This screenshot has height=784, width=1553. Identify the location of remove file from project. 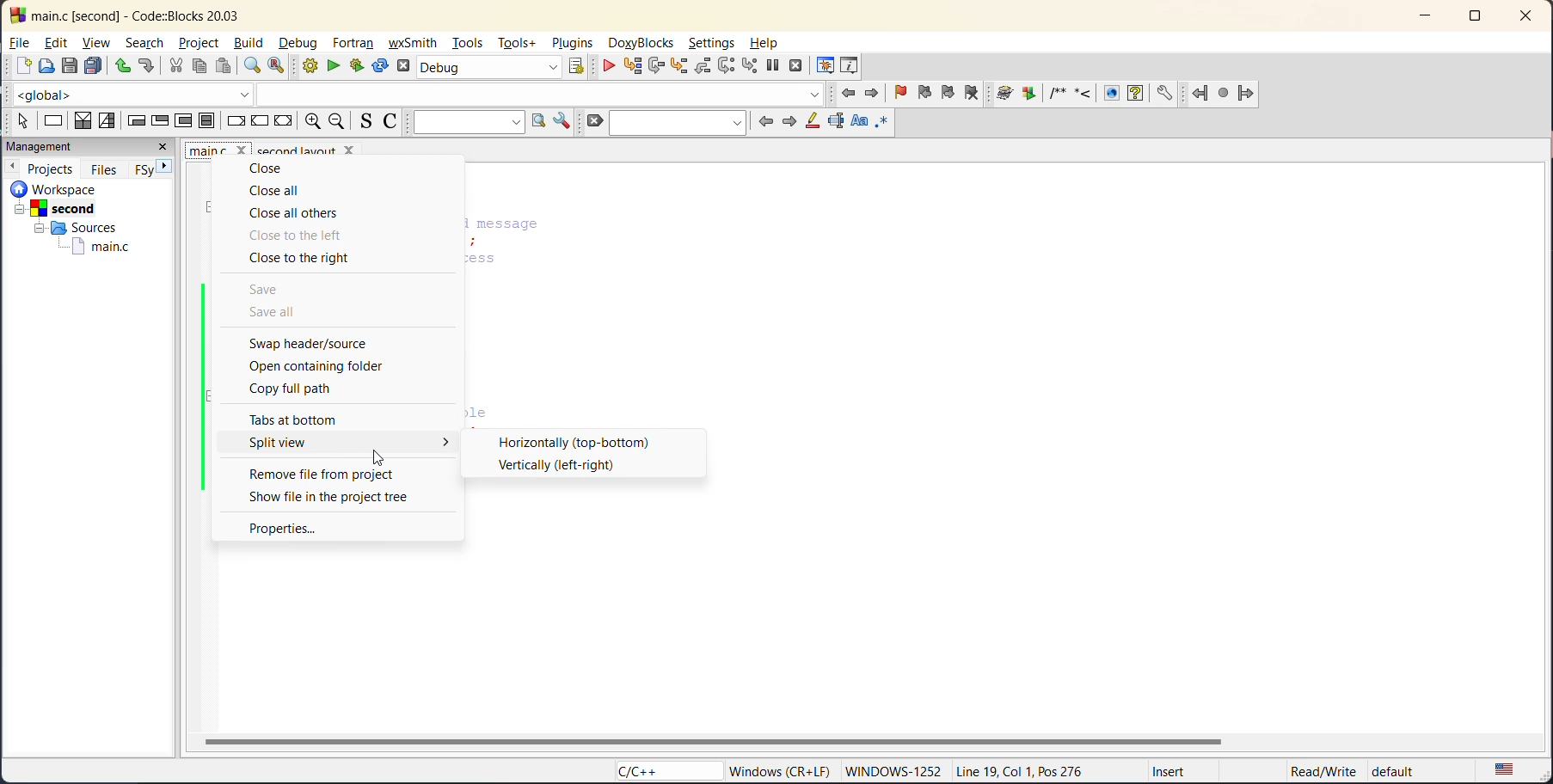
(320, 473).